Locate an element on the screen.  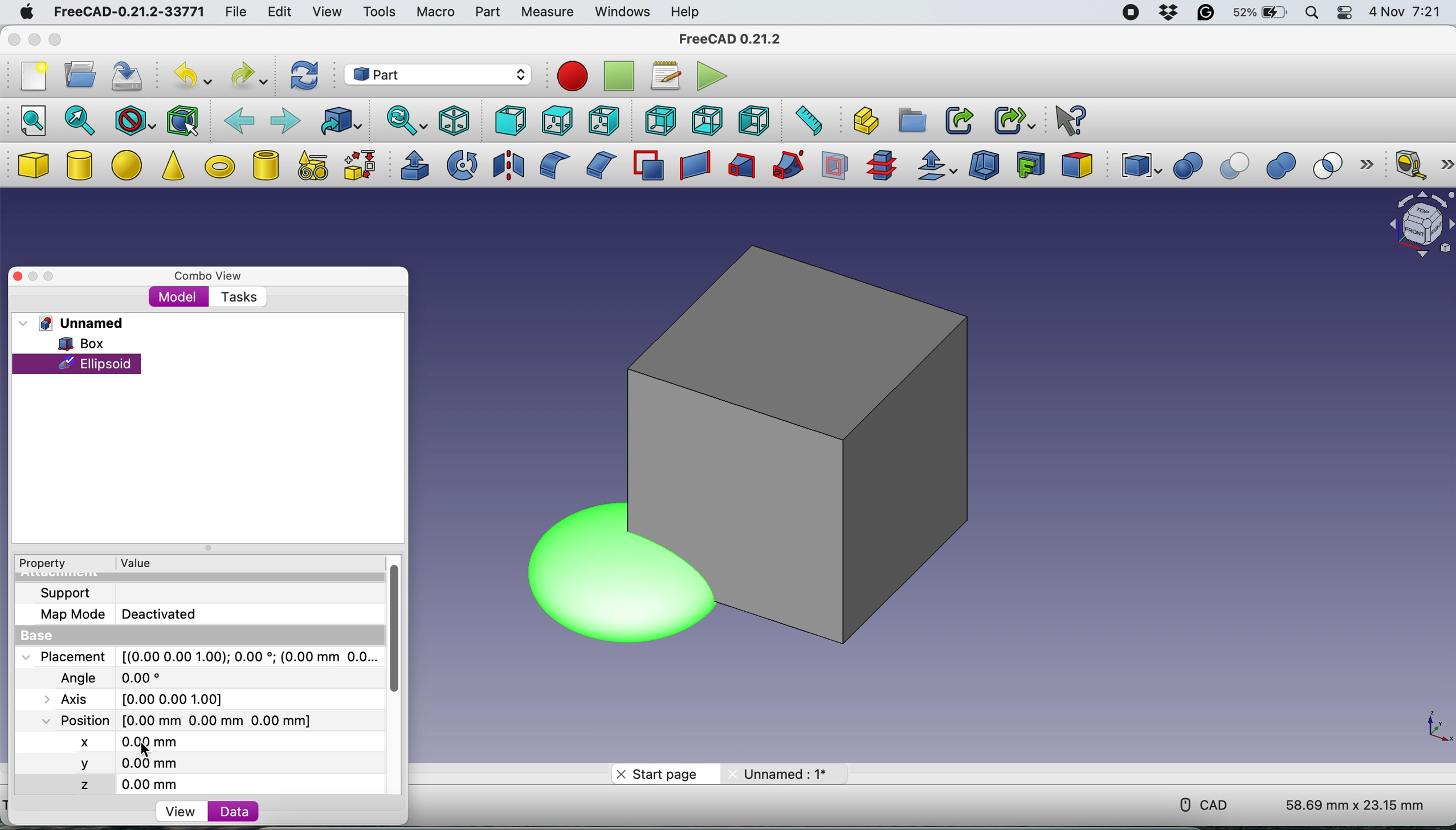
make link is located at coordinates (959, 120).